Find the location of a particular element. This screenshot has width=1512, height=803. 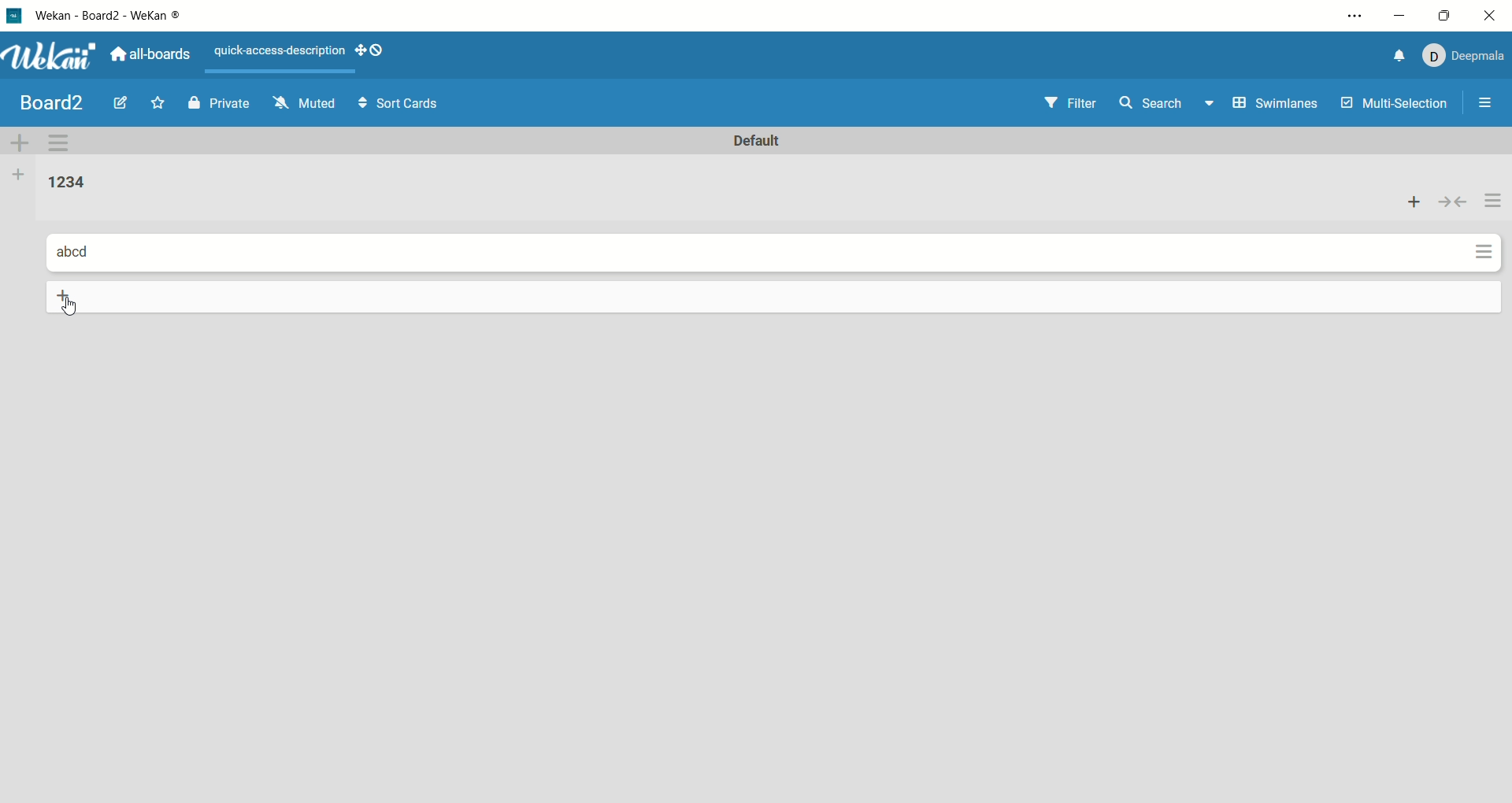

add list is located at coordinates (17, 174).